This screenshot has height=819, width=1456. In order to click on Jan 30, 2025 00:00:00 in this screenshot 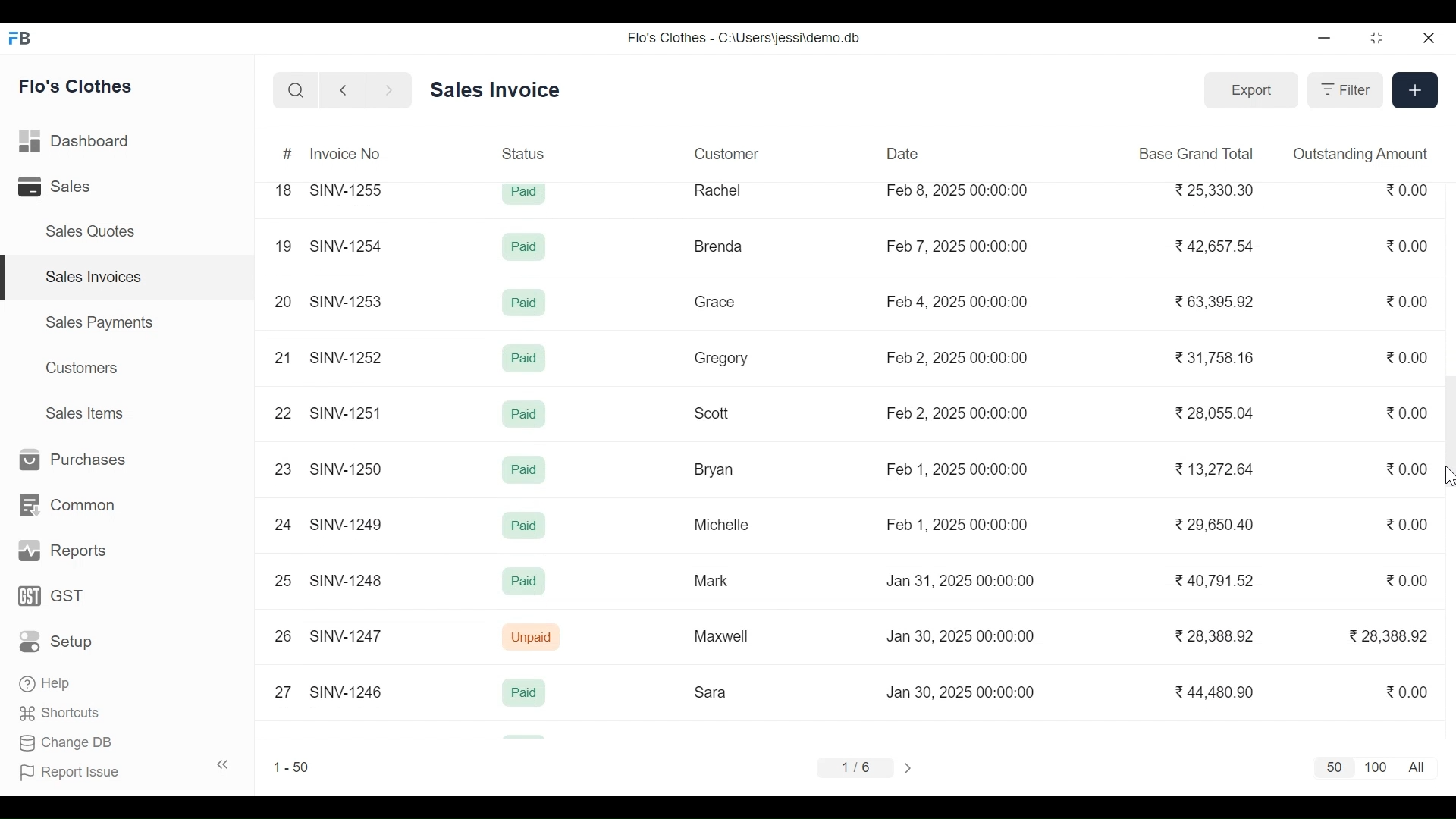, I will do `click(963, 692)`.